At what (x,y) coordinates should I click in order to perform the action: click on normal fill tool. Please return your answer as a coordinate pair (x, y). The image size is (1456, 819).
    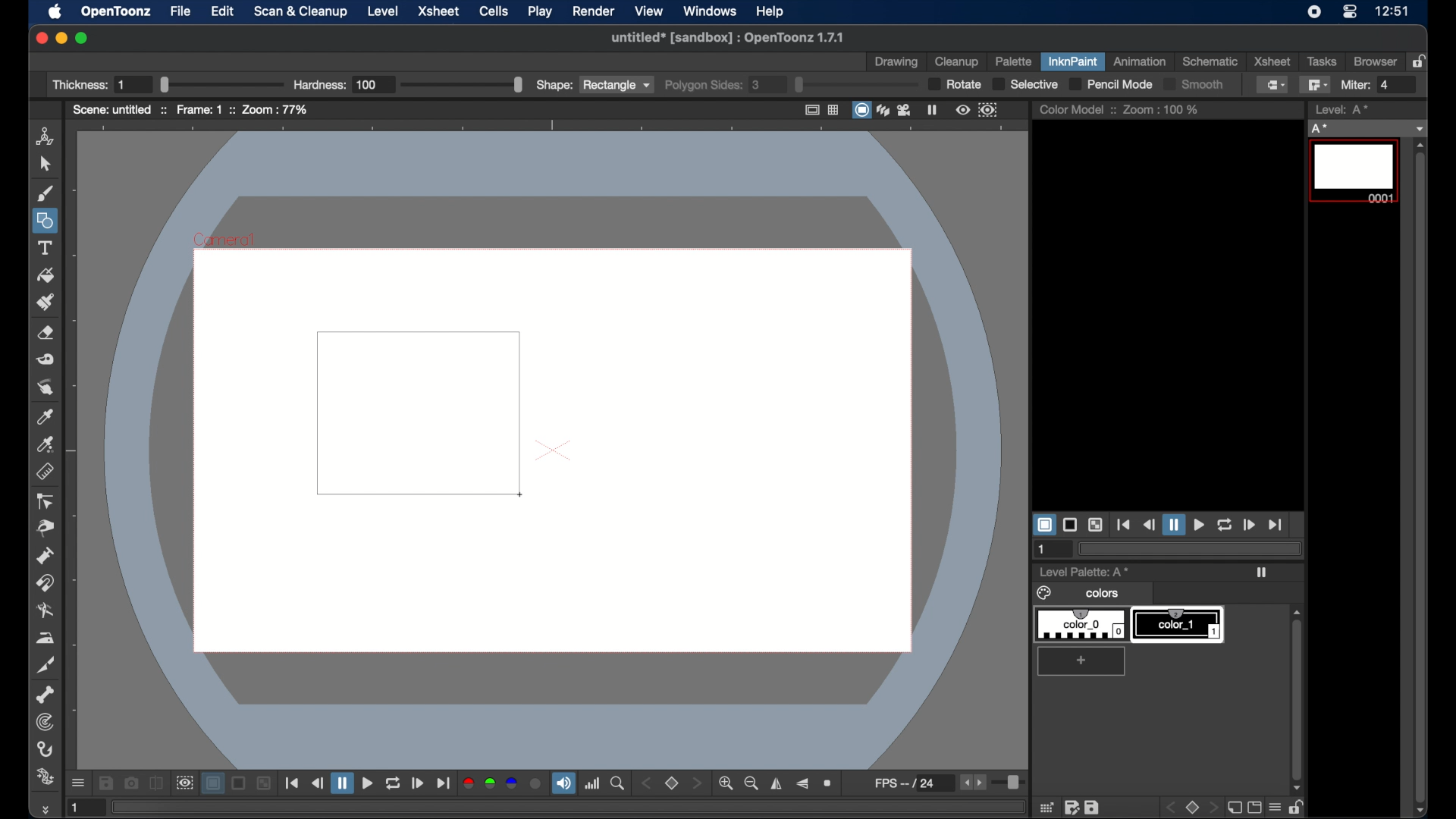
    Looking at the image, I should click on (1274, 85).